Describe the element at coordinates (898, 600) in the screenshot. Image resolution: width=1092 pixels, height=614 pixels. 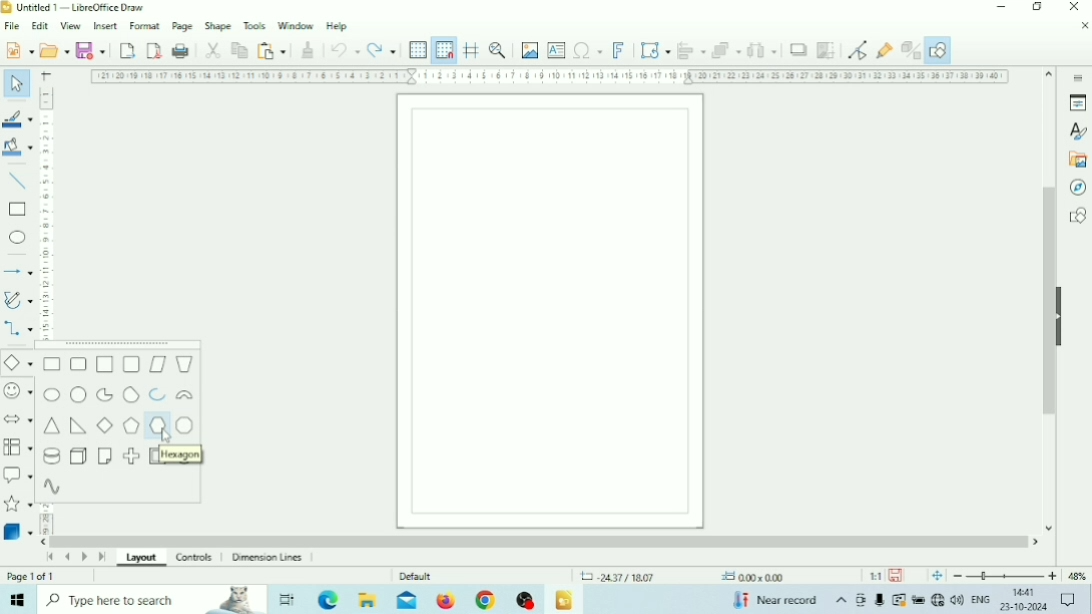
I see `Warning` at that location.